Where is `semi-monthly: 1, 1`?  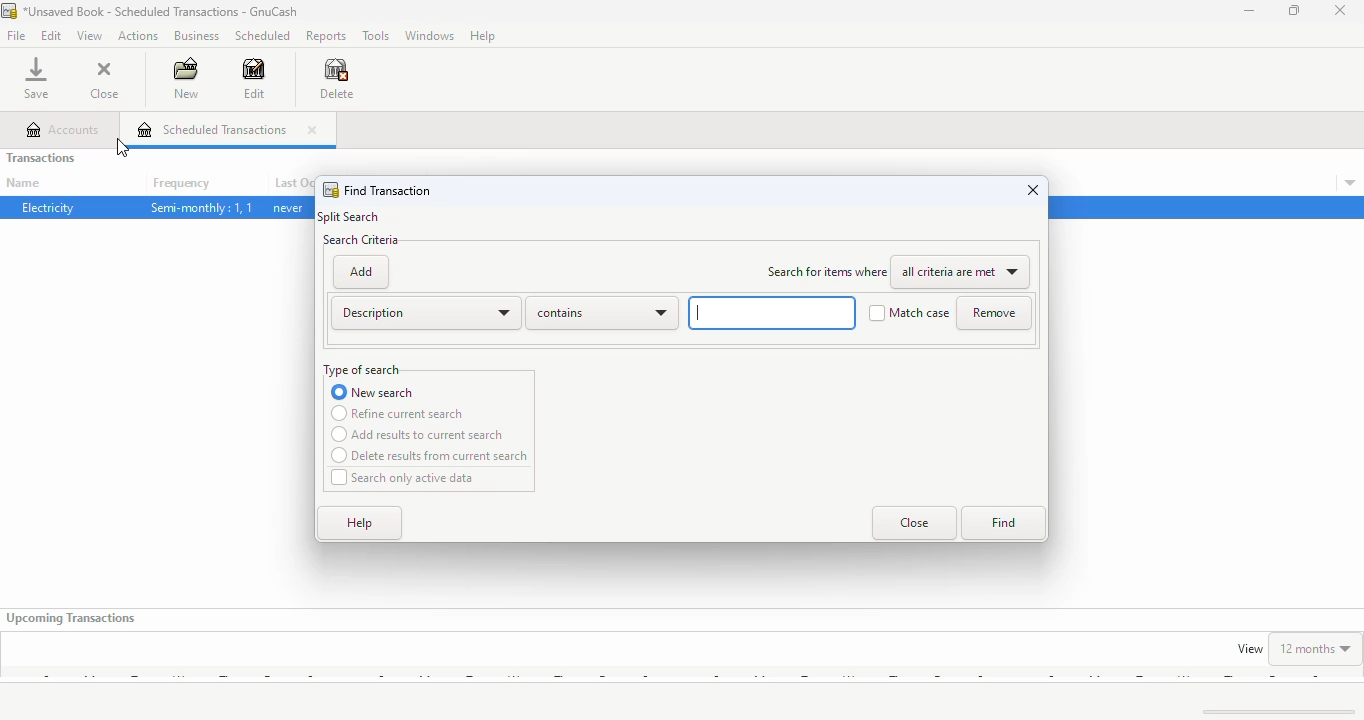 semi-monthly: 1, 1 is located at coordinates (201, 208).